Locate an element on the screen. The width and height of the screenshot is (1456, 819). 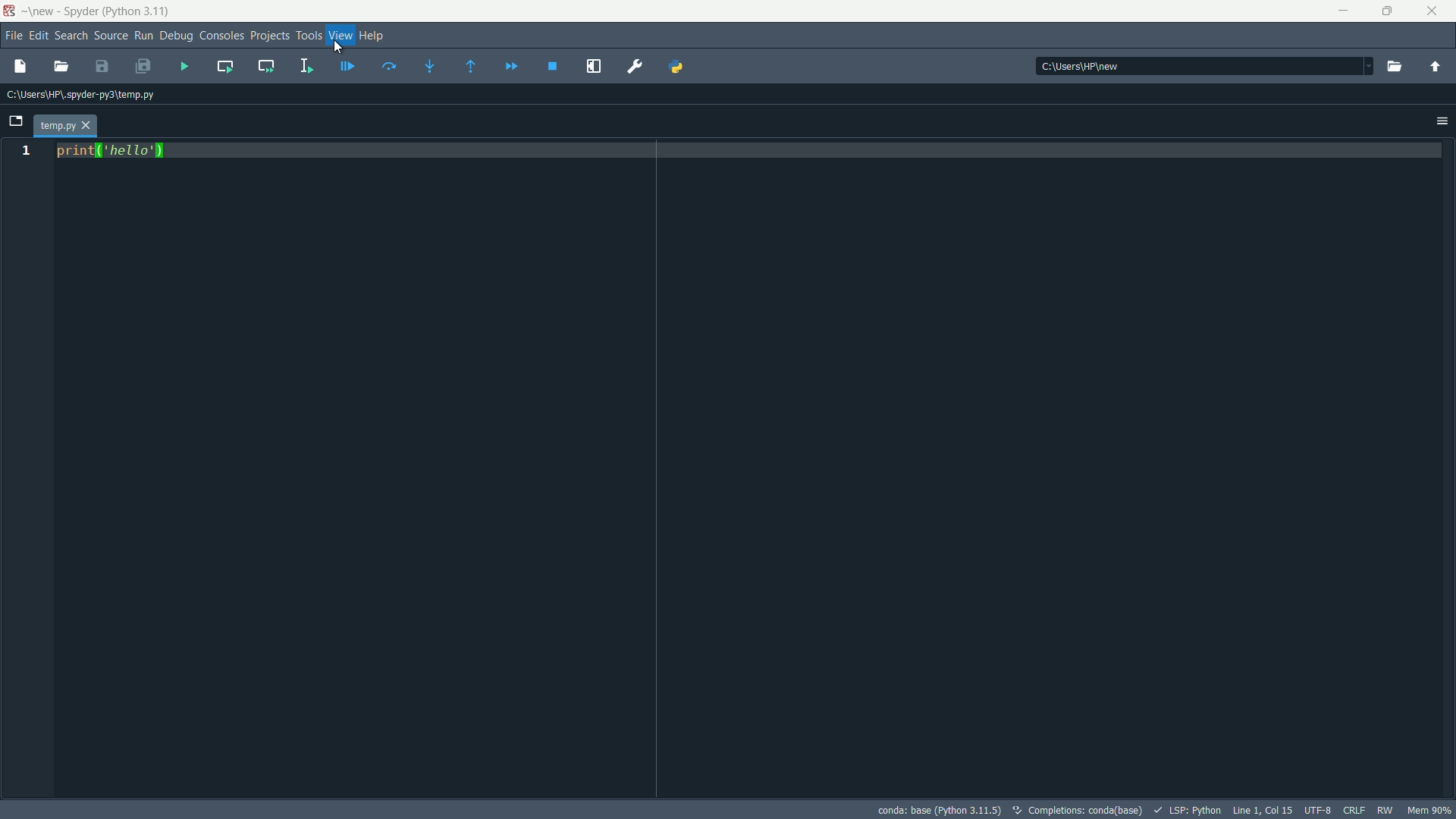
search menu is located at coordinates (70, 37).